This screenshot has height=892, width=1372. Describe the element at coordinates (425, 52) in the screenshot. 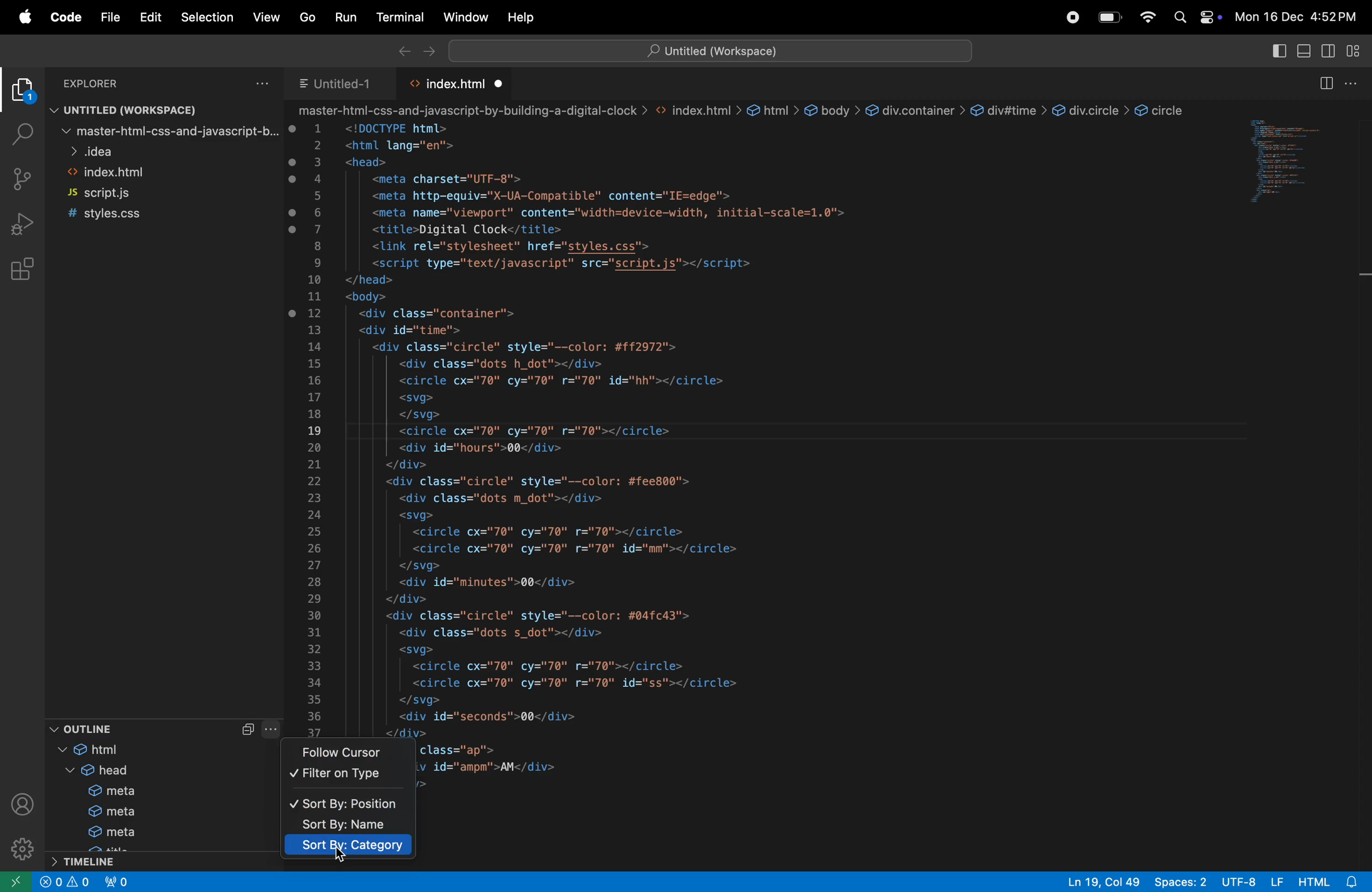

I see `forward` at that location.